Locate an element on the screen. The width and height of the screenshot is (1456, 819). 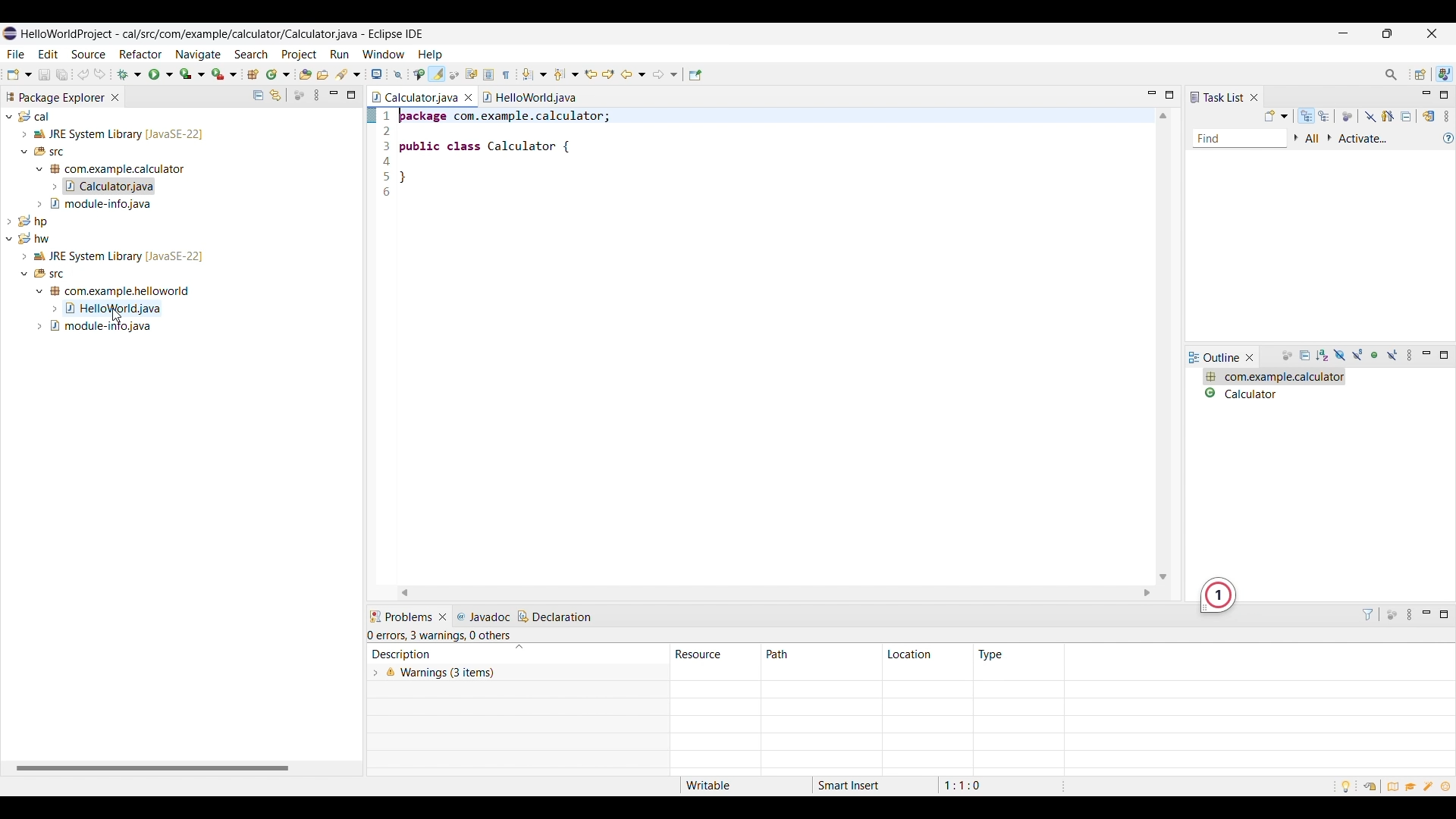
Maximize is located at coordinates (351, 95).